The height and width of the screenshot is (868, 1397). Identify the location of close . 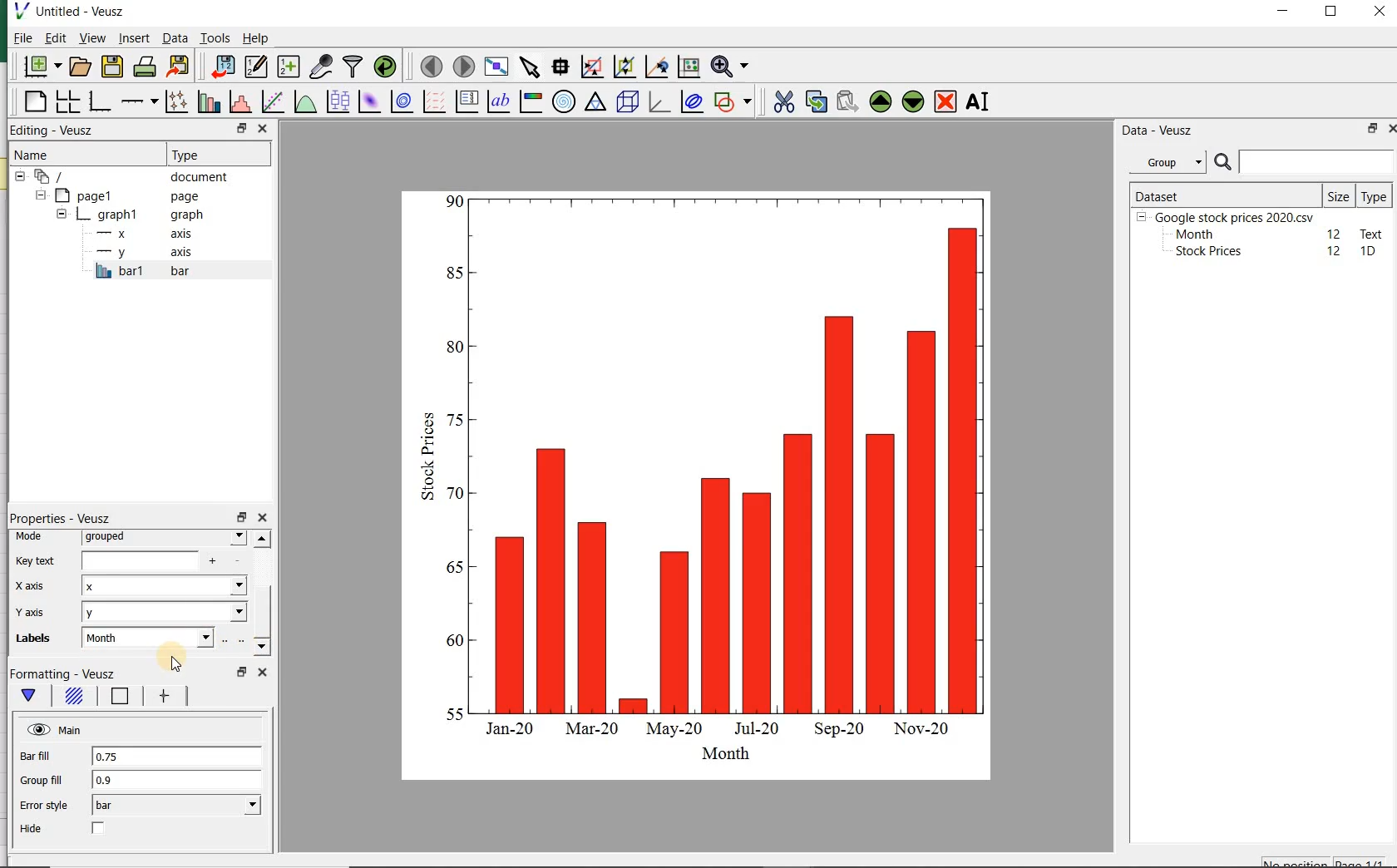
(1396, 129).